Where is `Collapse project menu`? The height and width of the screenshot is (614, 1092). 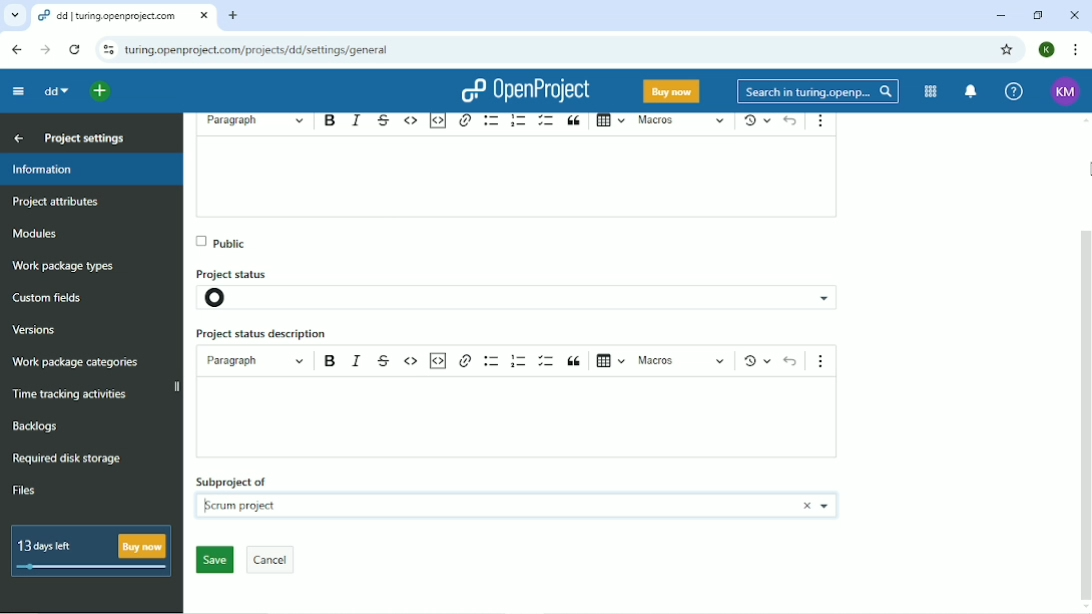
Collapse project menu is located at coordinates (19, 92).